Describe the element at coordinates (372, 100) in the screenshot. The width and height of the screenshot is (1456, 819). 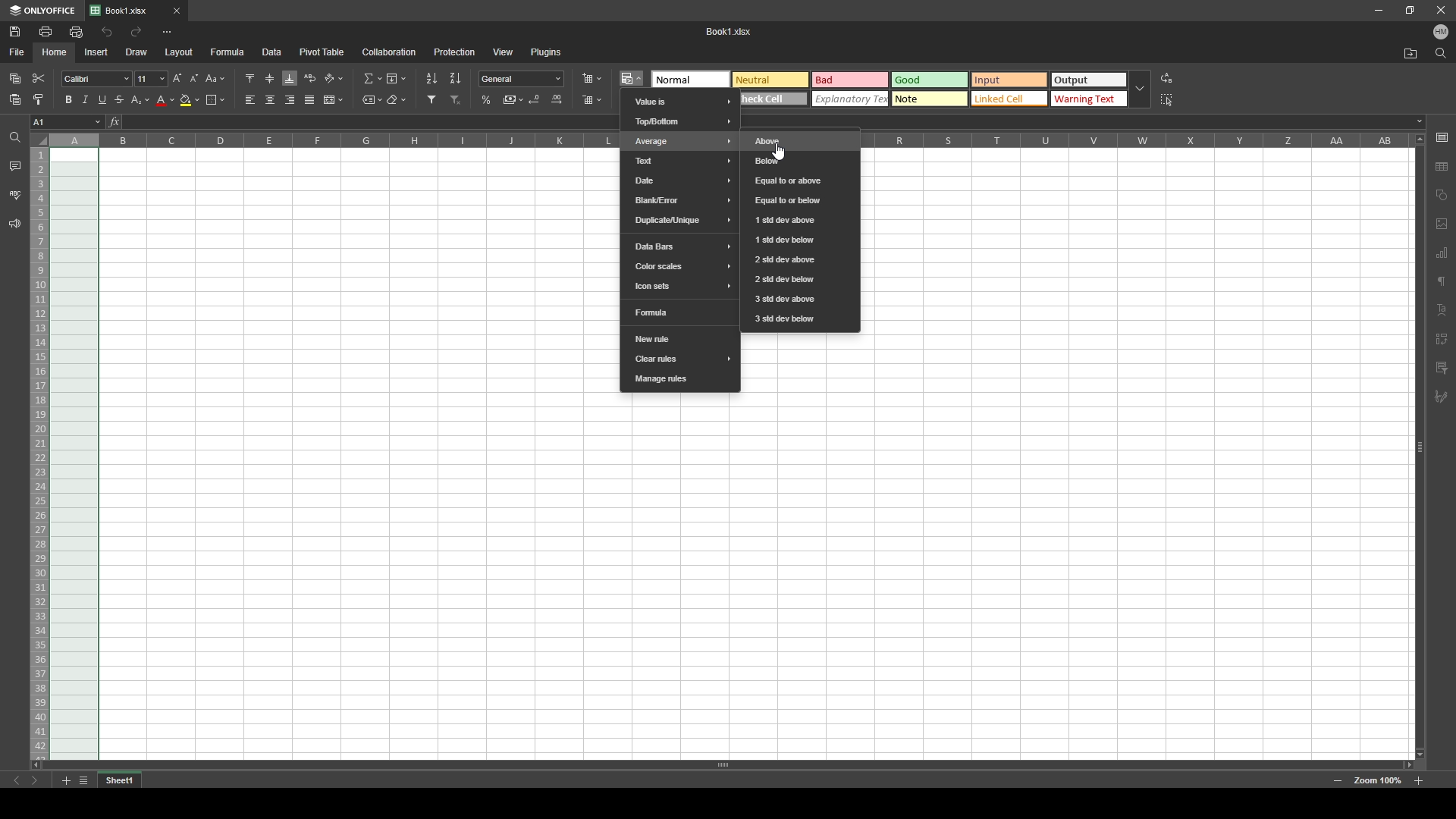
I see `named ranges` at that location.